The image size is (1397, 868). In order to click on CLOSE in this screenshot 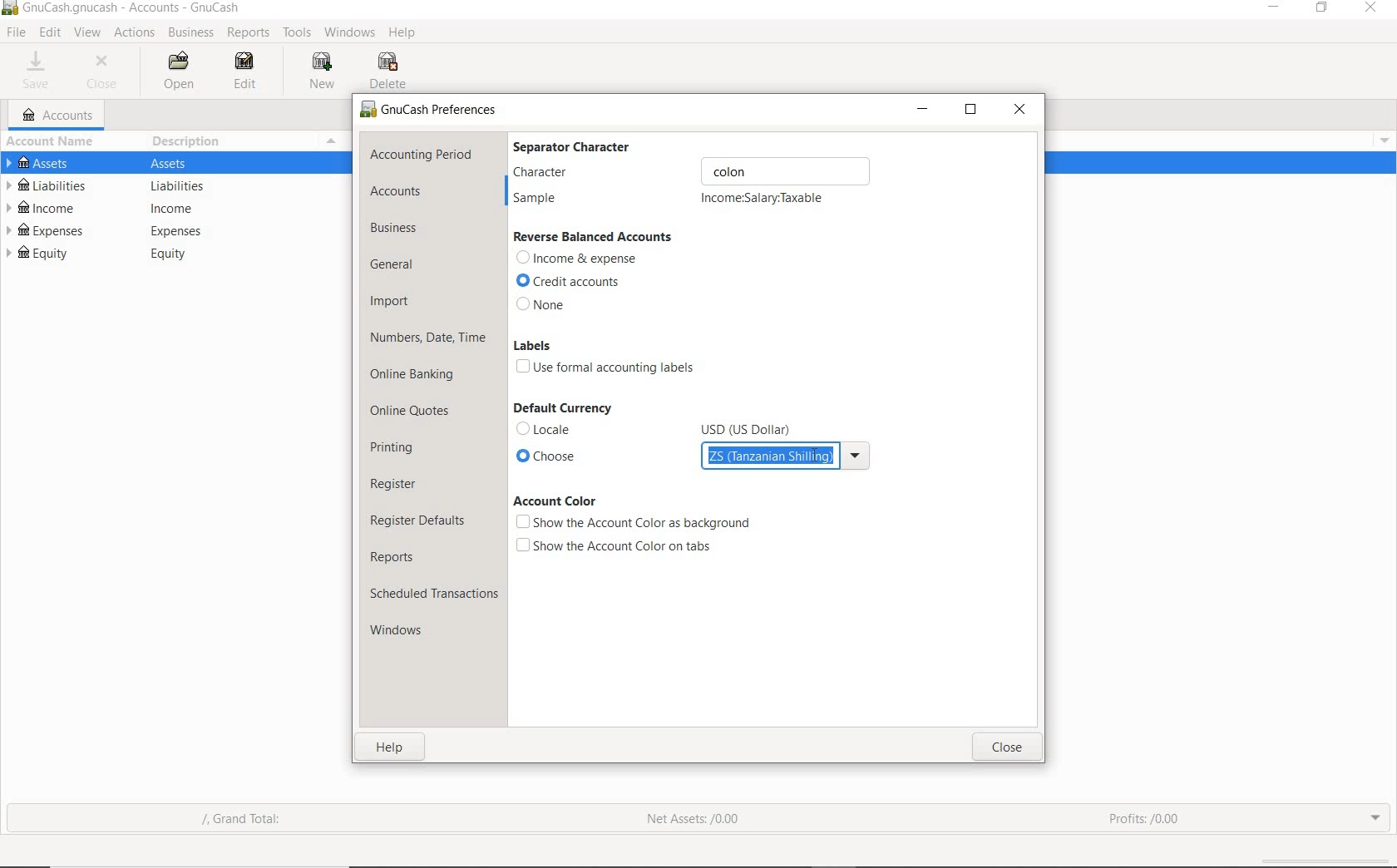, I will do `click(106, 74)`.